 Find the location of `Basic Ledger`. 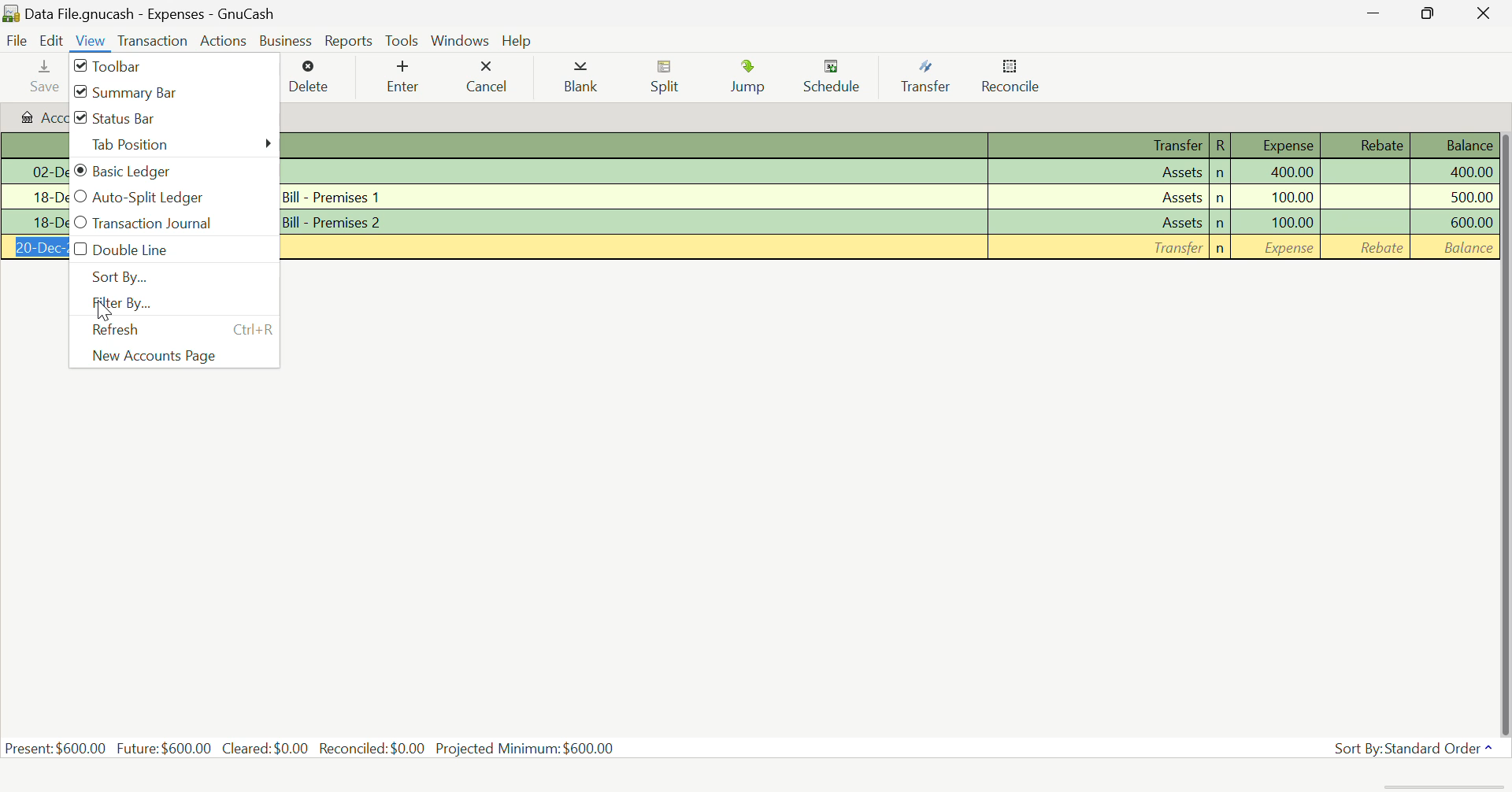

Basic Ledger is located at coordinates (173, 172).